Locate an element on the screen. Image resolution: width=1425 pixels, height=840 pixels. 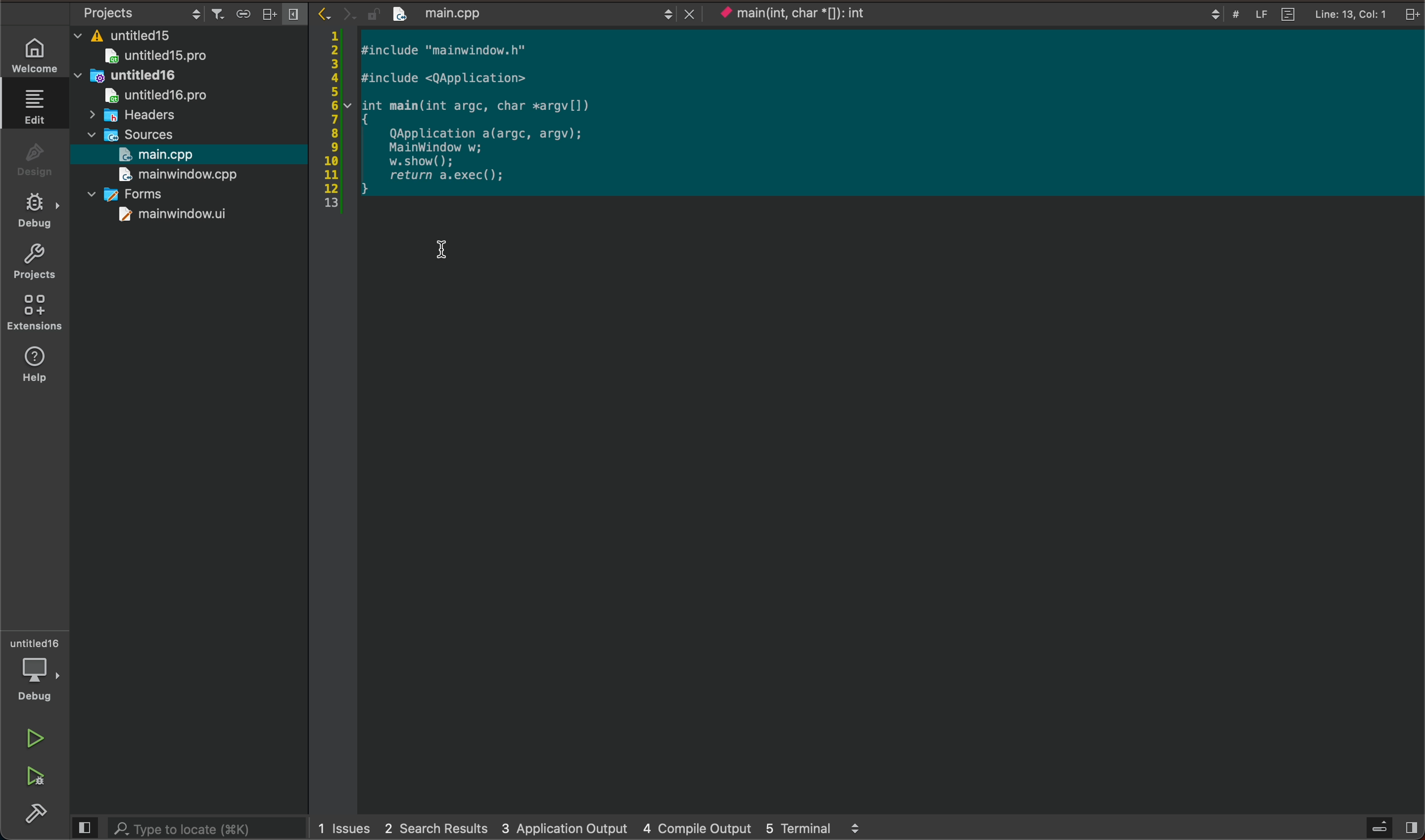
run  is located at coordinates (38, 739).